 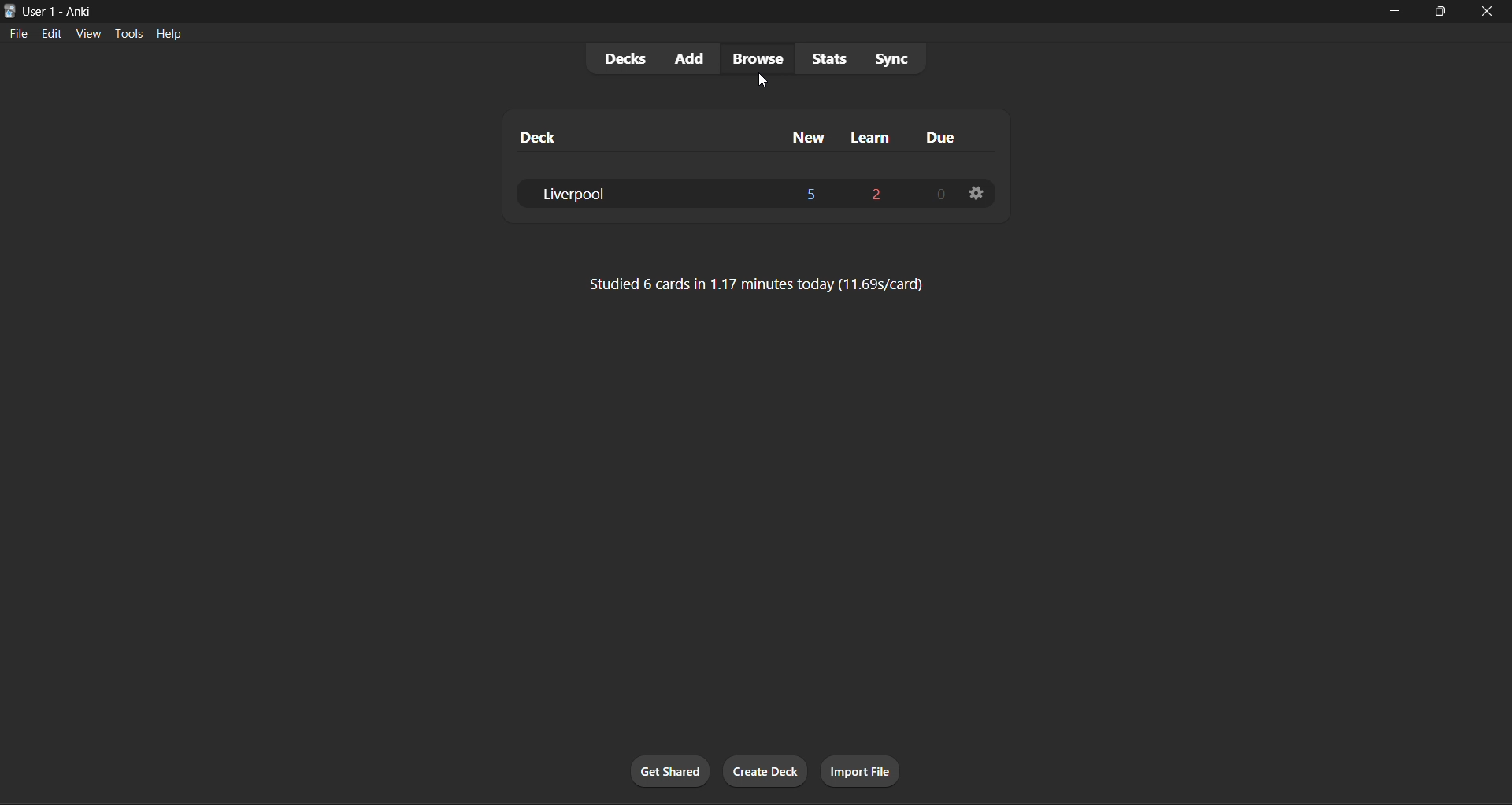 What do you see at coordinates (828, 60) in the screenshot?
I see `stats` at bounding box center [828, 60].